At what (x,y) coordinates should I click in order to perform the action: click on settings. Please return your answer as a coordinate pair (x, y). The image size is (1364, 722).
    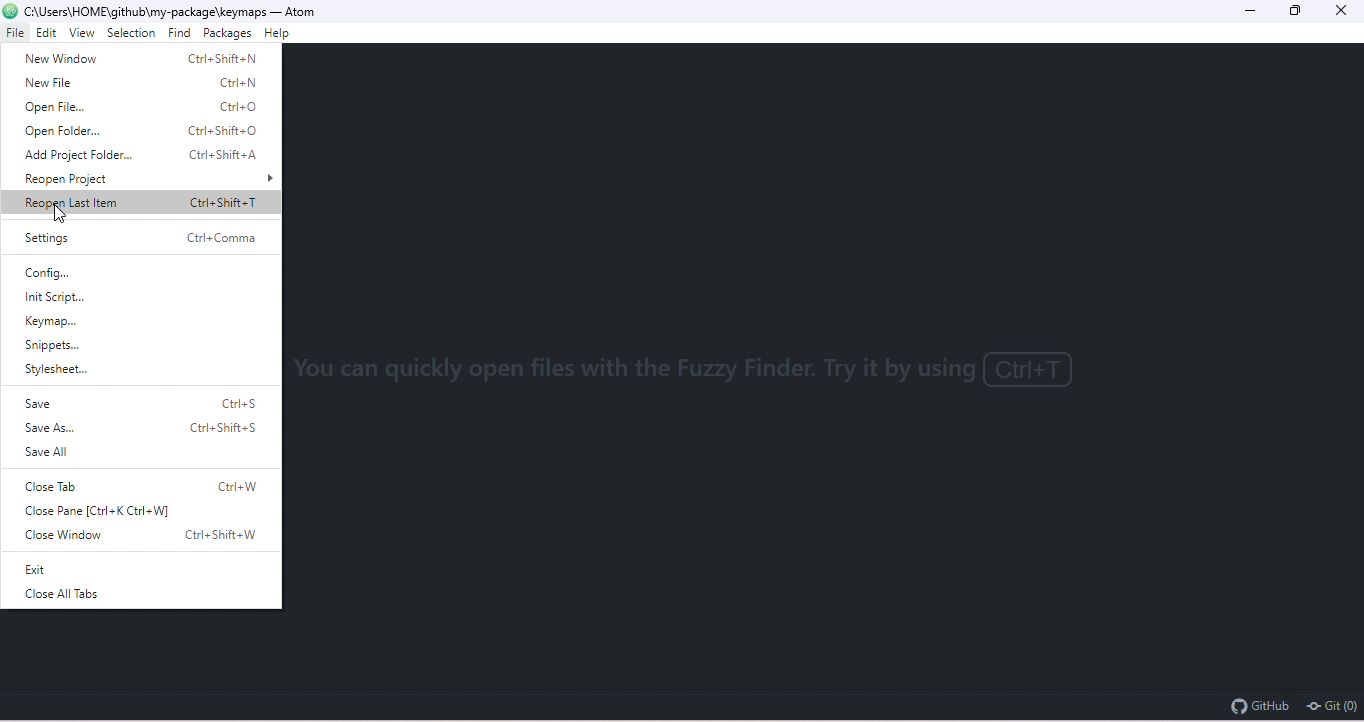
    Looking at the image, I should click on (144, 239).